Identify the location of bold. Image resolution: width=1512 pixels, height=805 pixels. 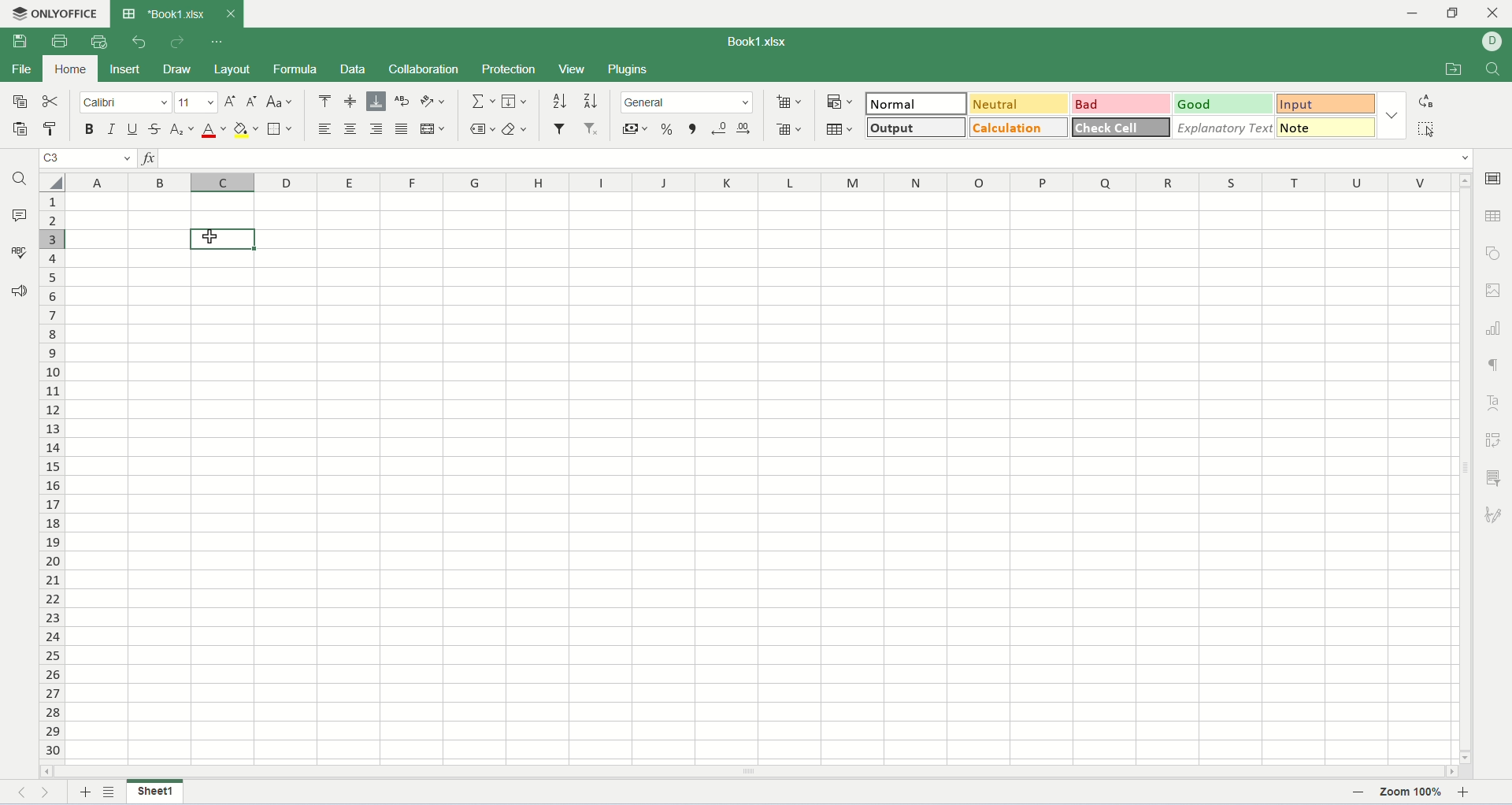
(88, 129).